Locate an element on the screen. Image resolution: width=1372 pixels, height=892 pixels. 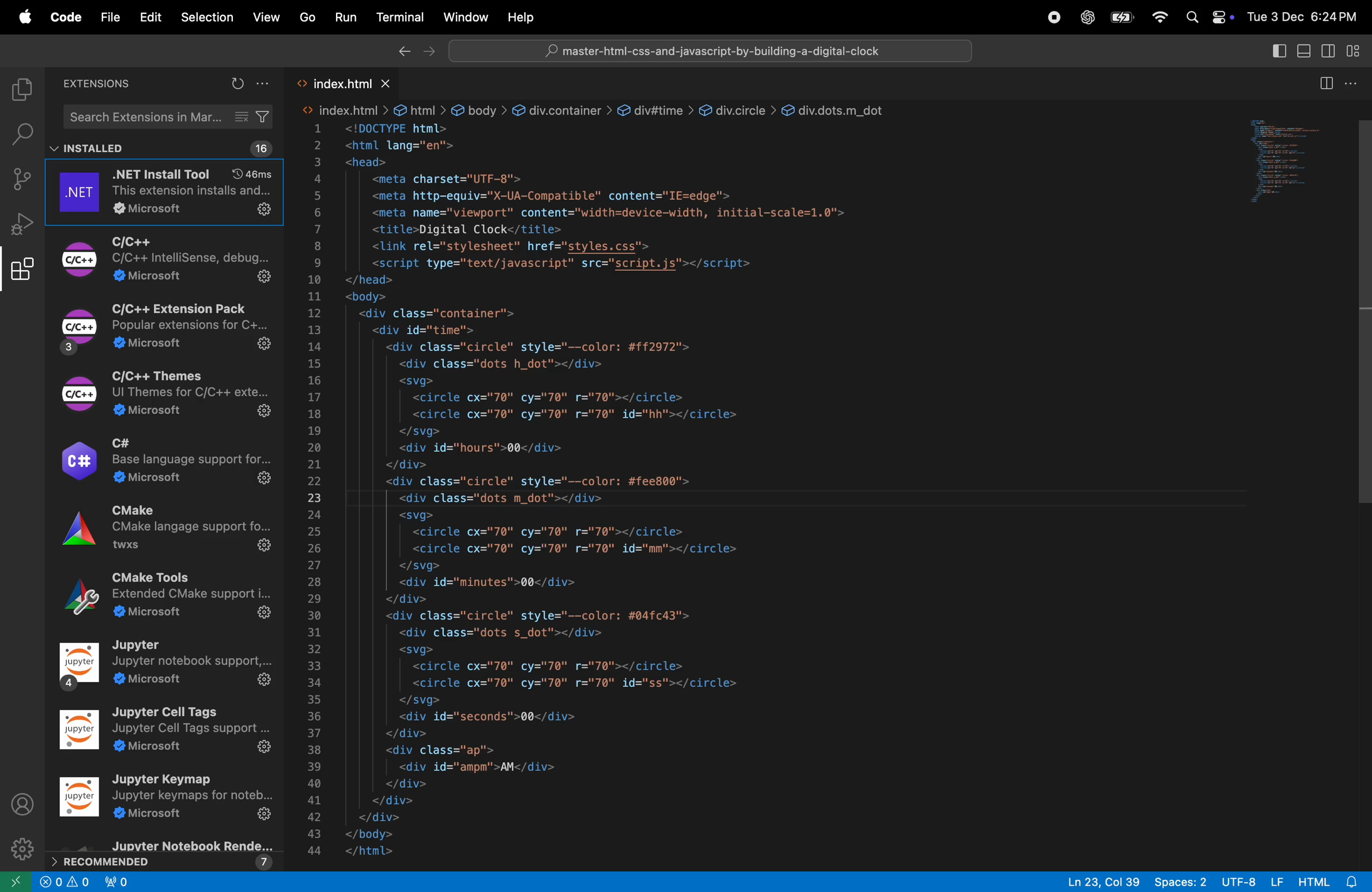
Edit is located at coordinates (147, 16).